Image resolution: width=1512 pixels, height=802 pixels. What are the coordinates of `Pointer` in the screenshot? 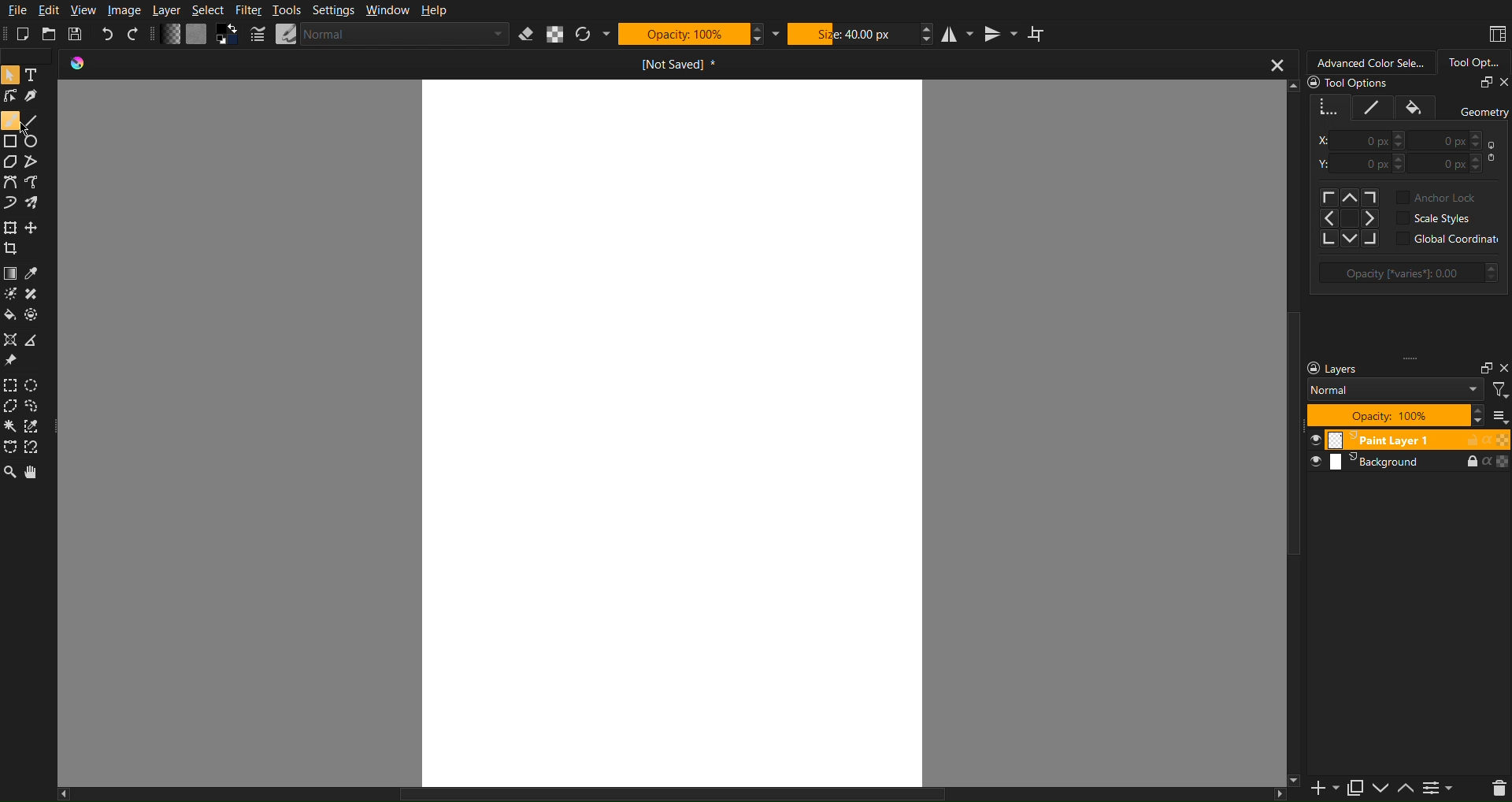 It's located at (11, 75).